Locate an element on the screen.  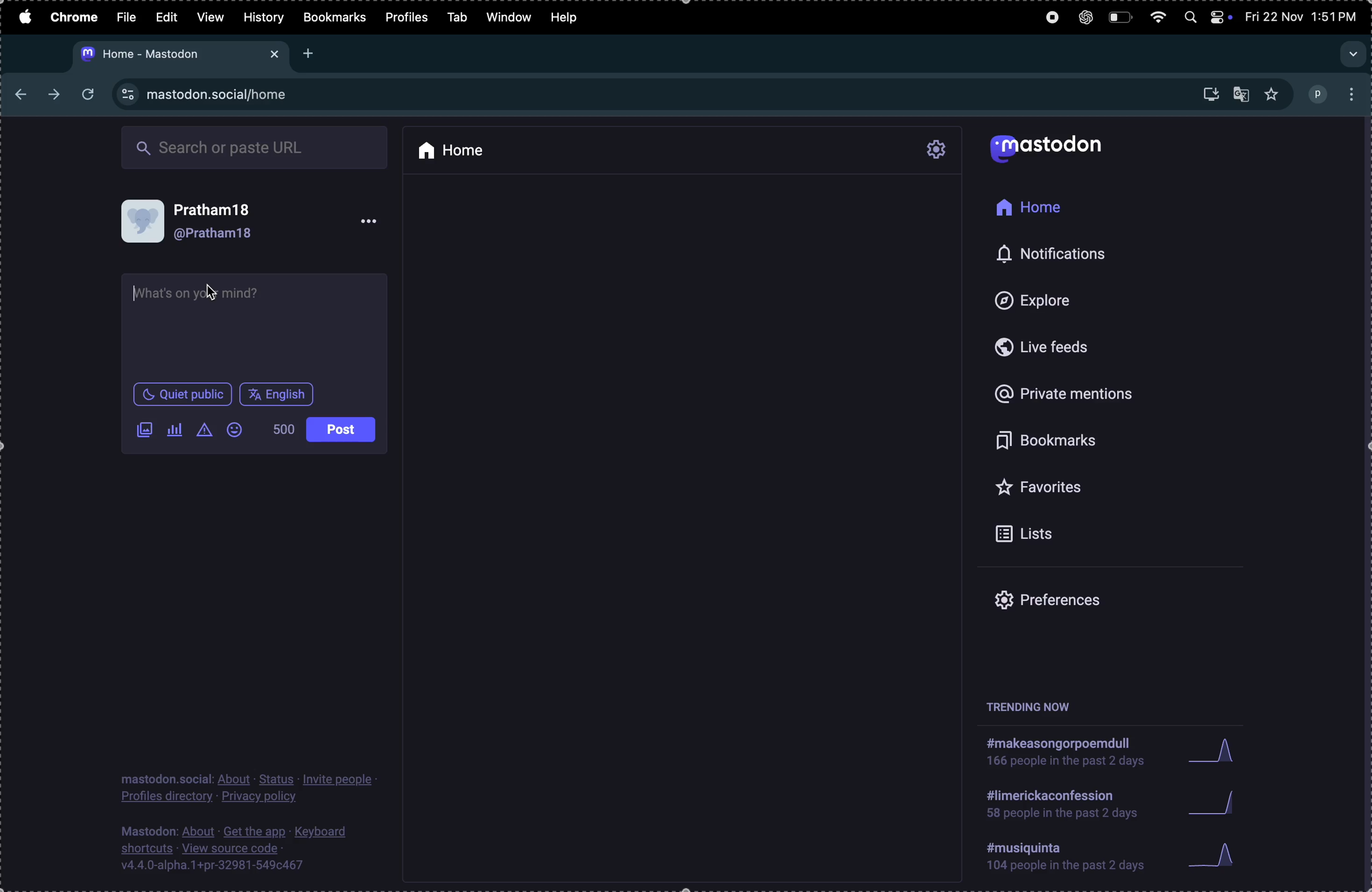
profile privacy is located at coordinates (255, 787).